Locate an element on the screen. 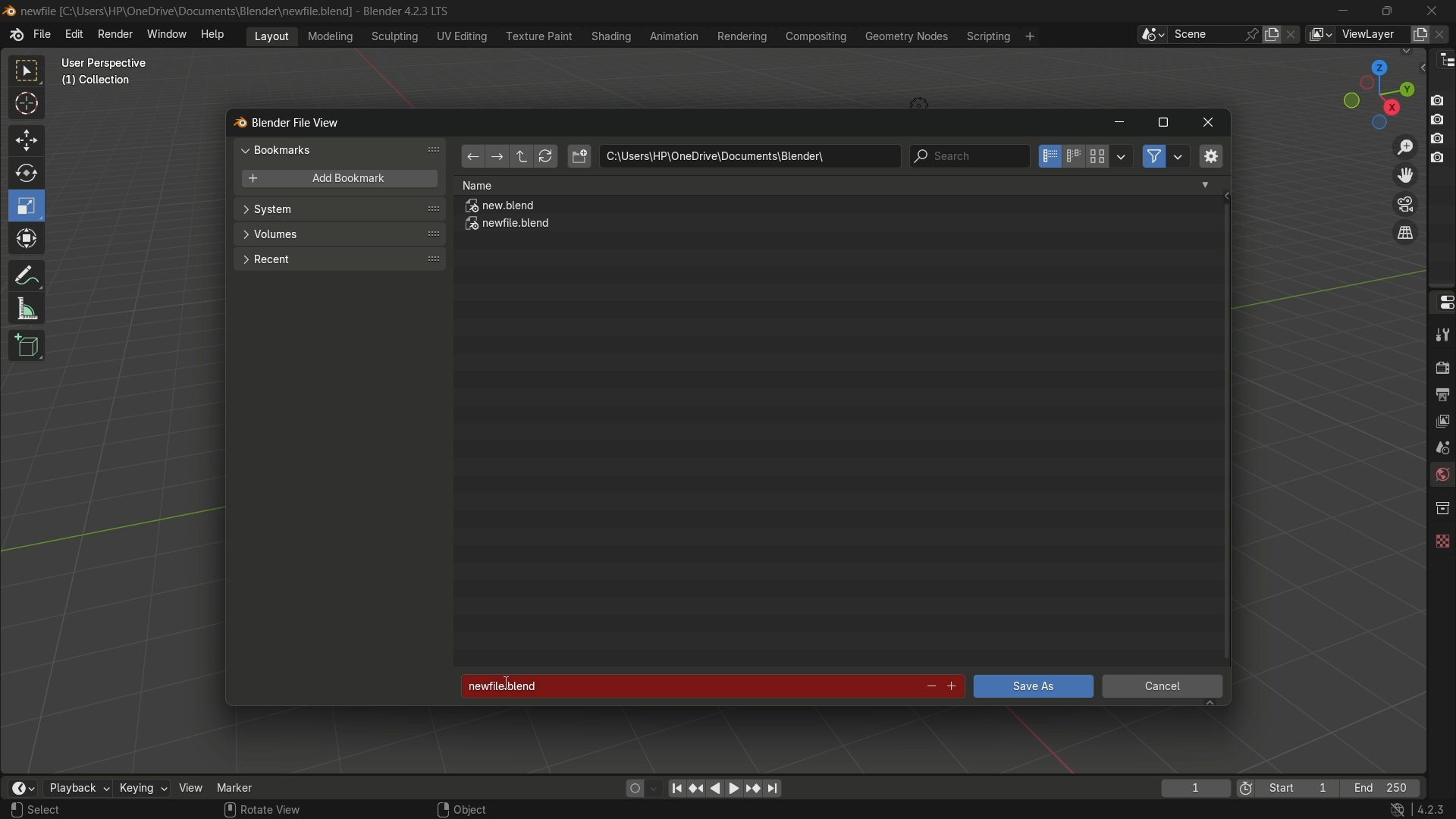 This screenshot has height=819, width=1456. jump to endpoint is located at coordinates (773, 789).